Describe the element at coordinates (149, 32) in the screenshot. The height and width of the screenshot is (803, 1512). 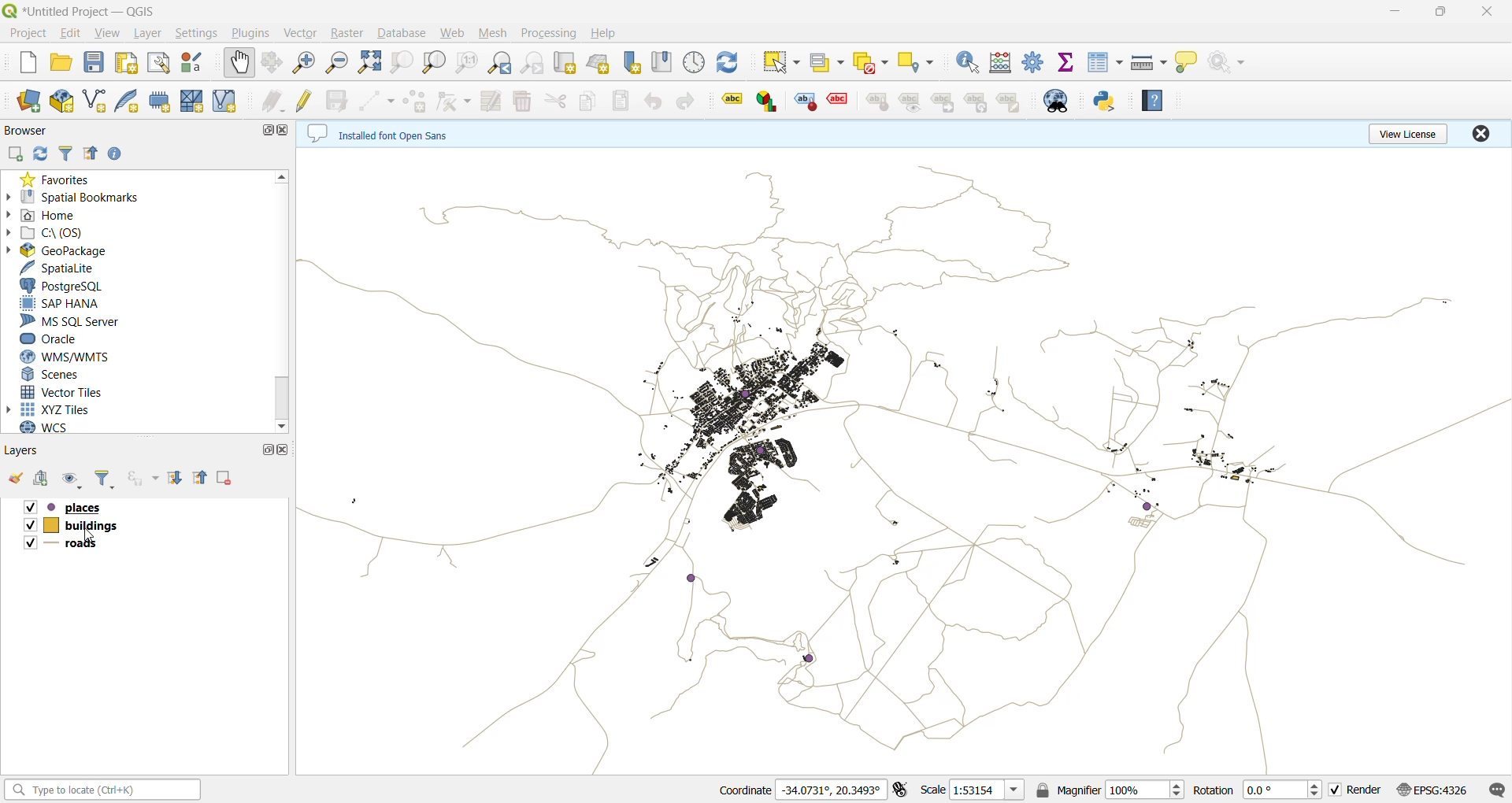
I see `layer` at that location.